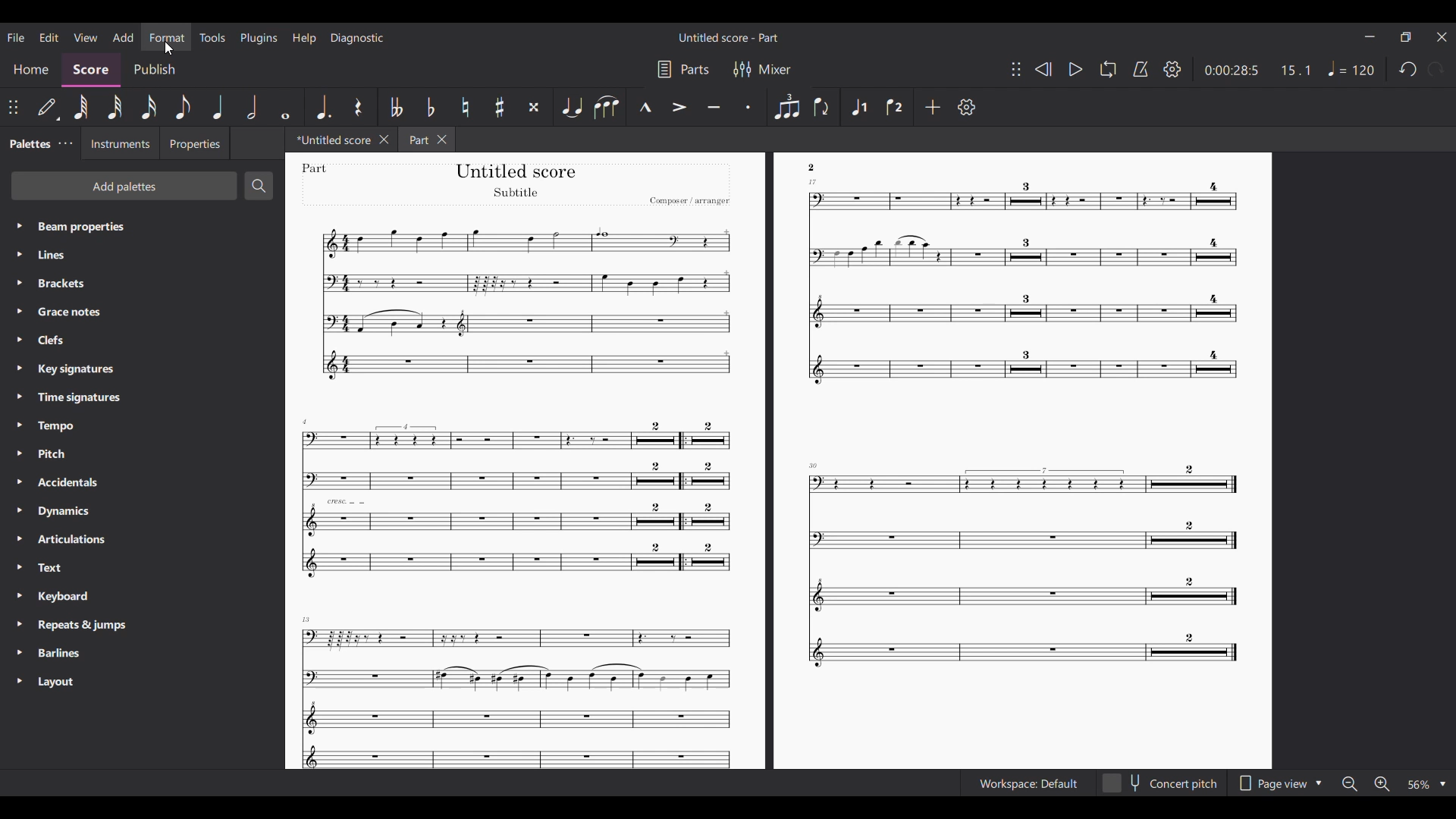  What do you see at coordinates (322, 107) in the screenshot?
I see `Augmentation dot` at bounding box center [322, 107].